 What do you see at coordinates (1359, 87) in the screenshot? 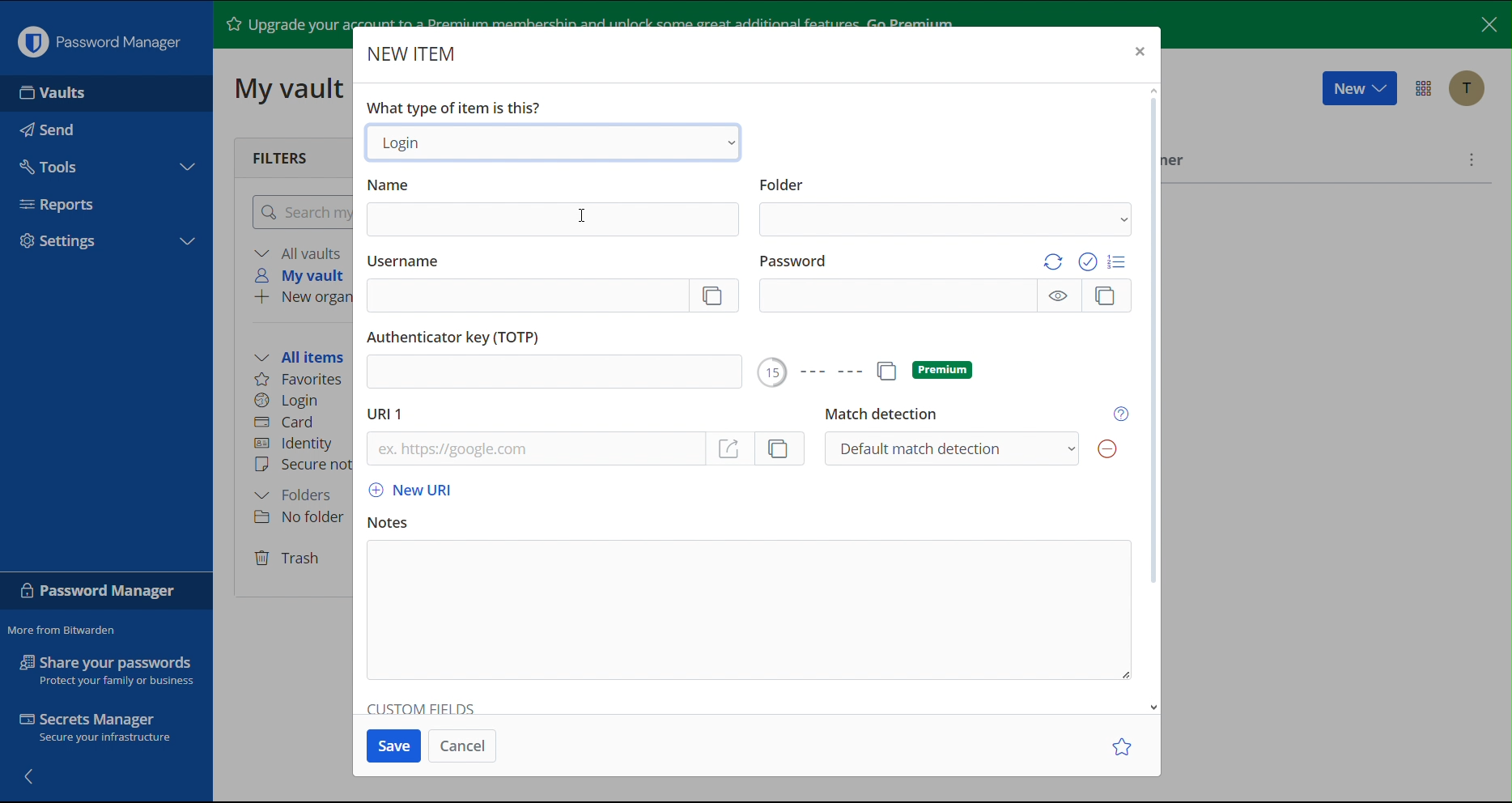
I see `New` at bounding box center [1359, 87].